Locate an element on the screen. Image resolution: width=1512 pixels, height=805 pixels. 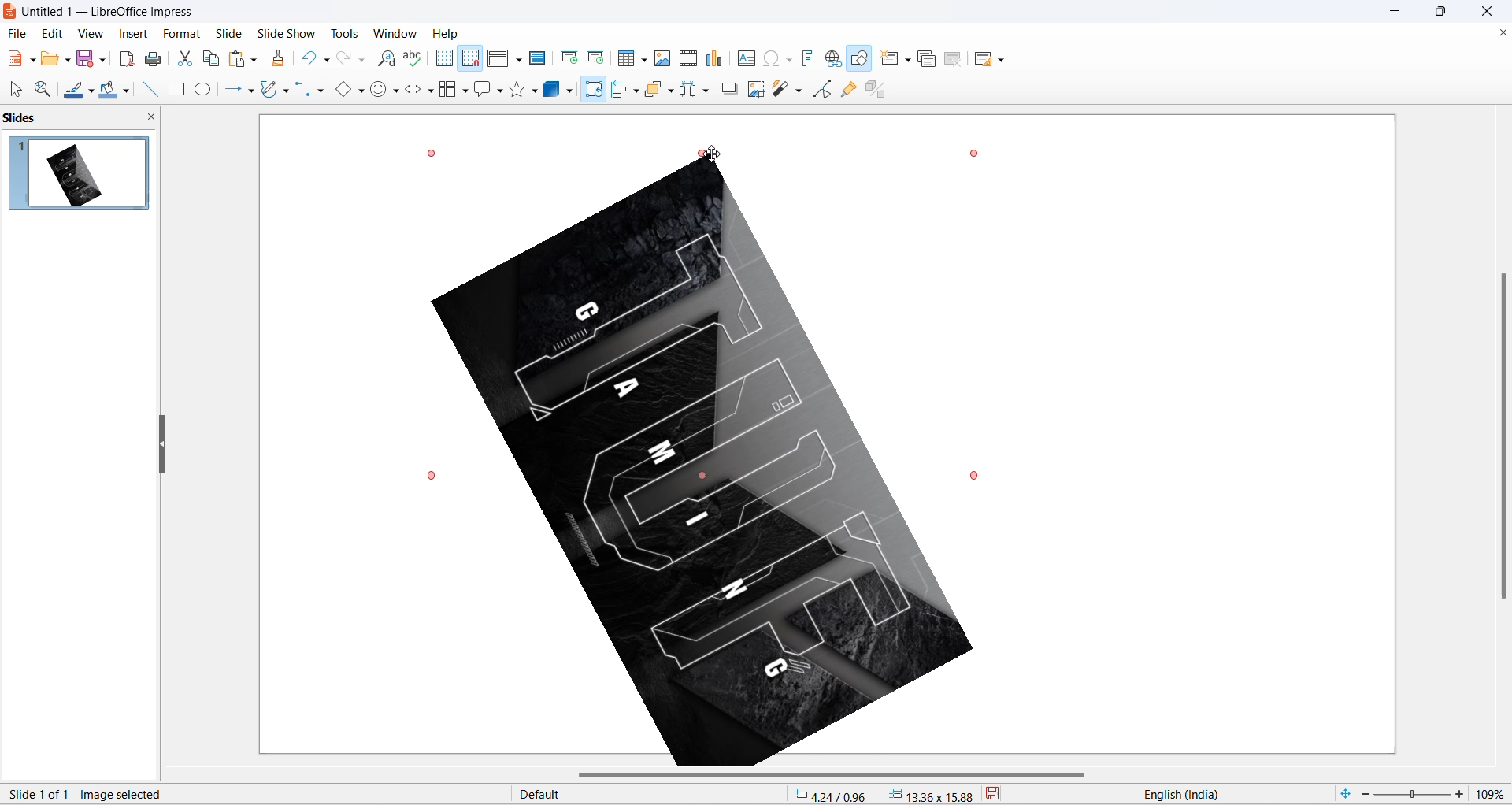
distribute objects is located at coordinates (689, 91).